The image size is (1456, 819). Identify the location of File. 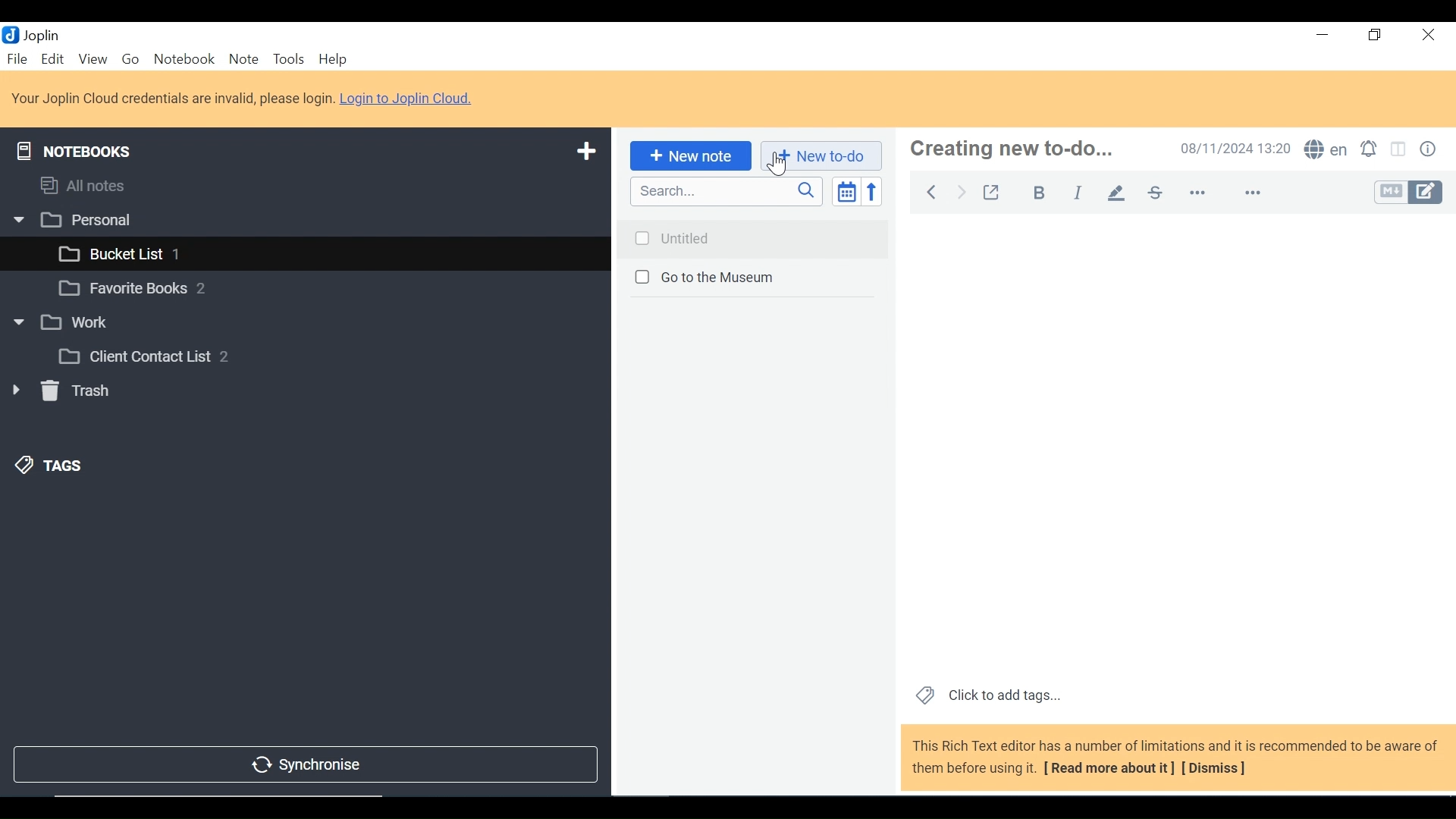
(18, 60).